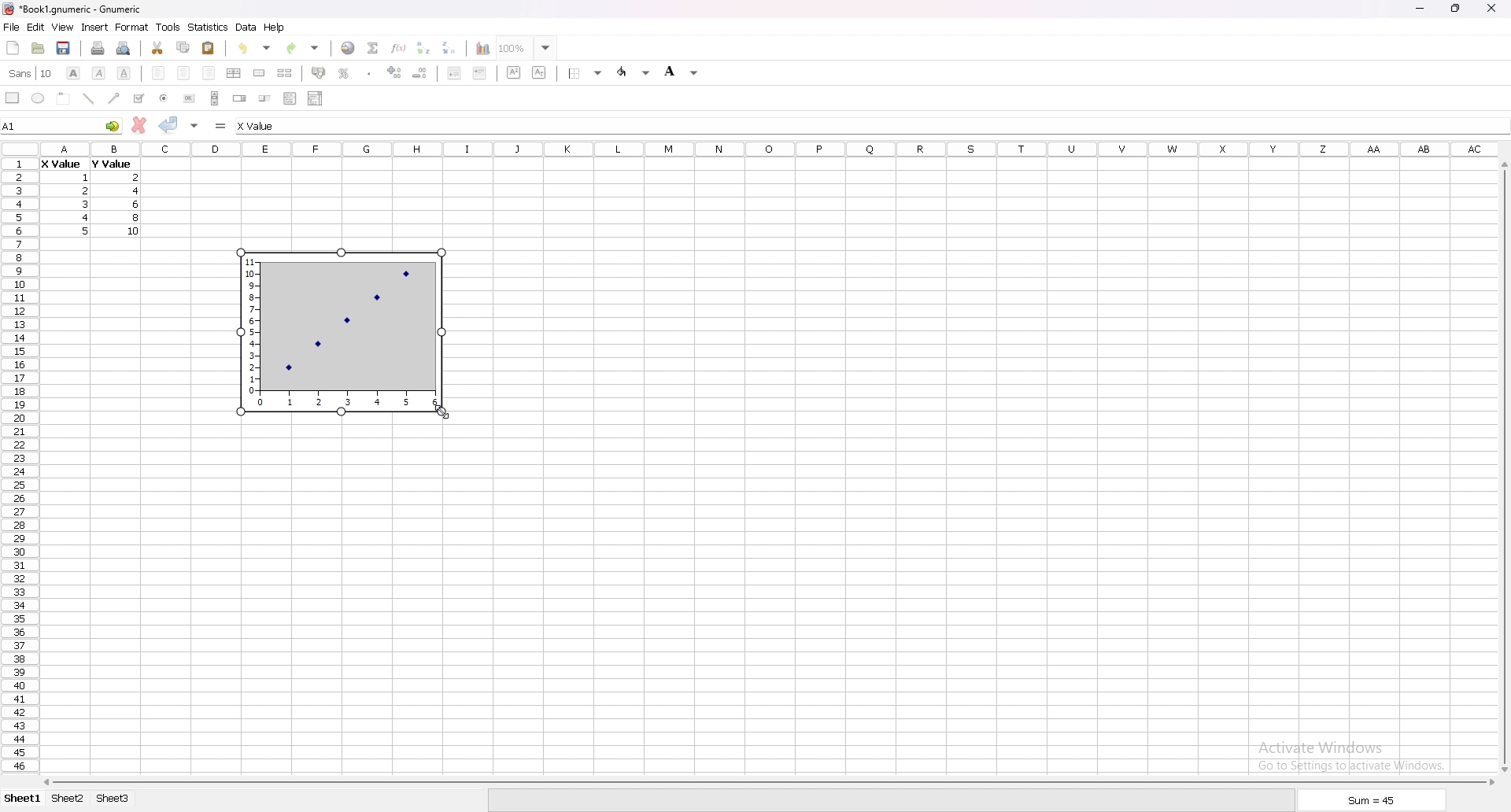 The image size is (1511, 812). Describe the element at coordinates (526, 47) in the screenshot. I see `zoom` at that location.